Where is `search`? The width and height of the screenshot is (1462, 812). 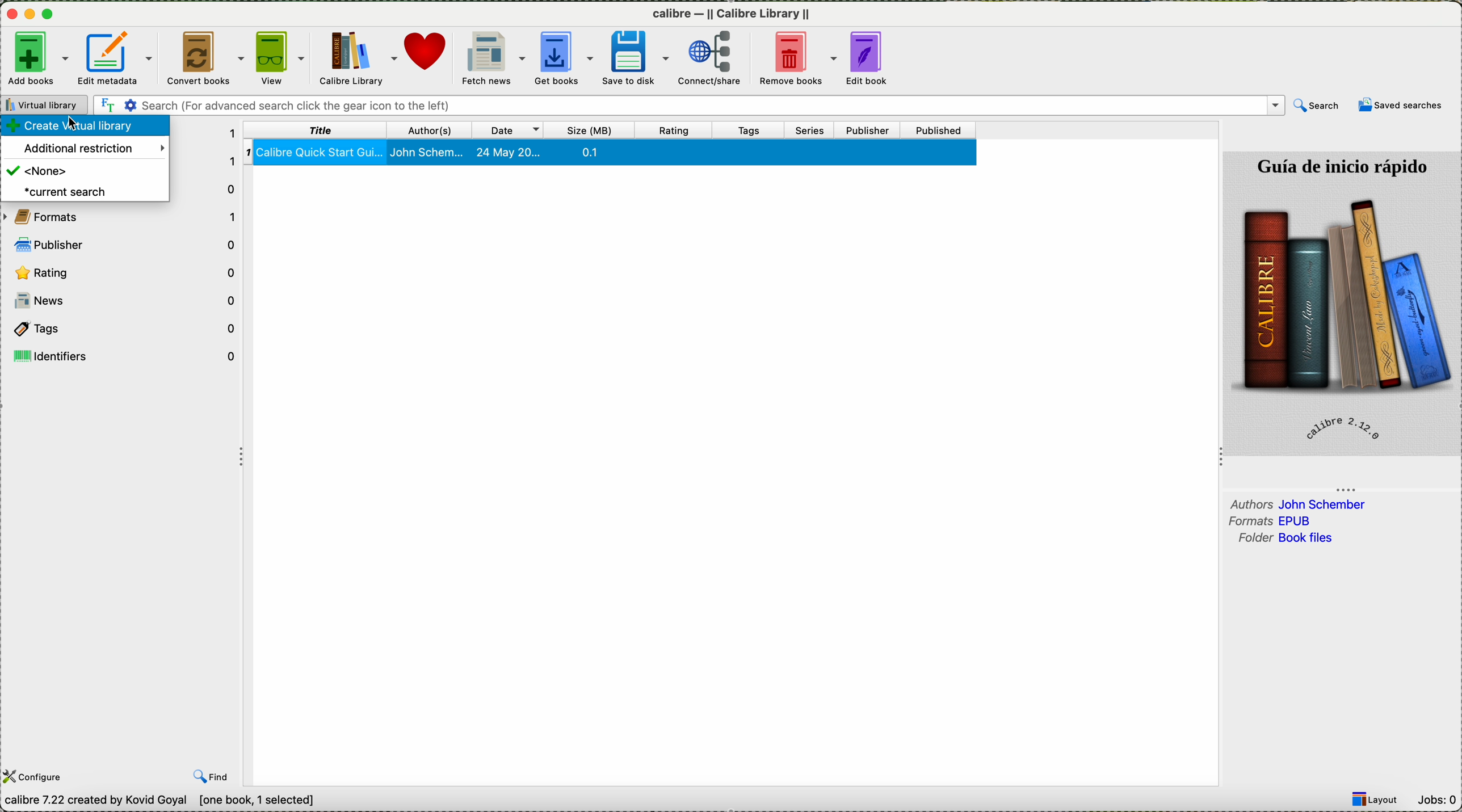
search is located at coordinates (686, 103).